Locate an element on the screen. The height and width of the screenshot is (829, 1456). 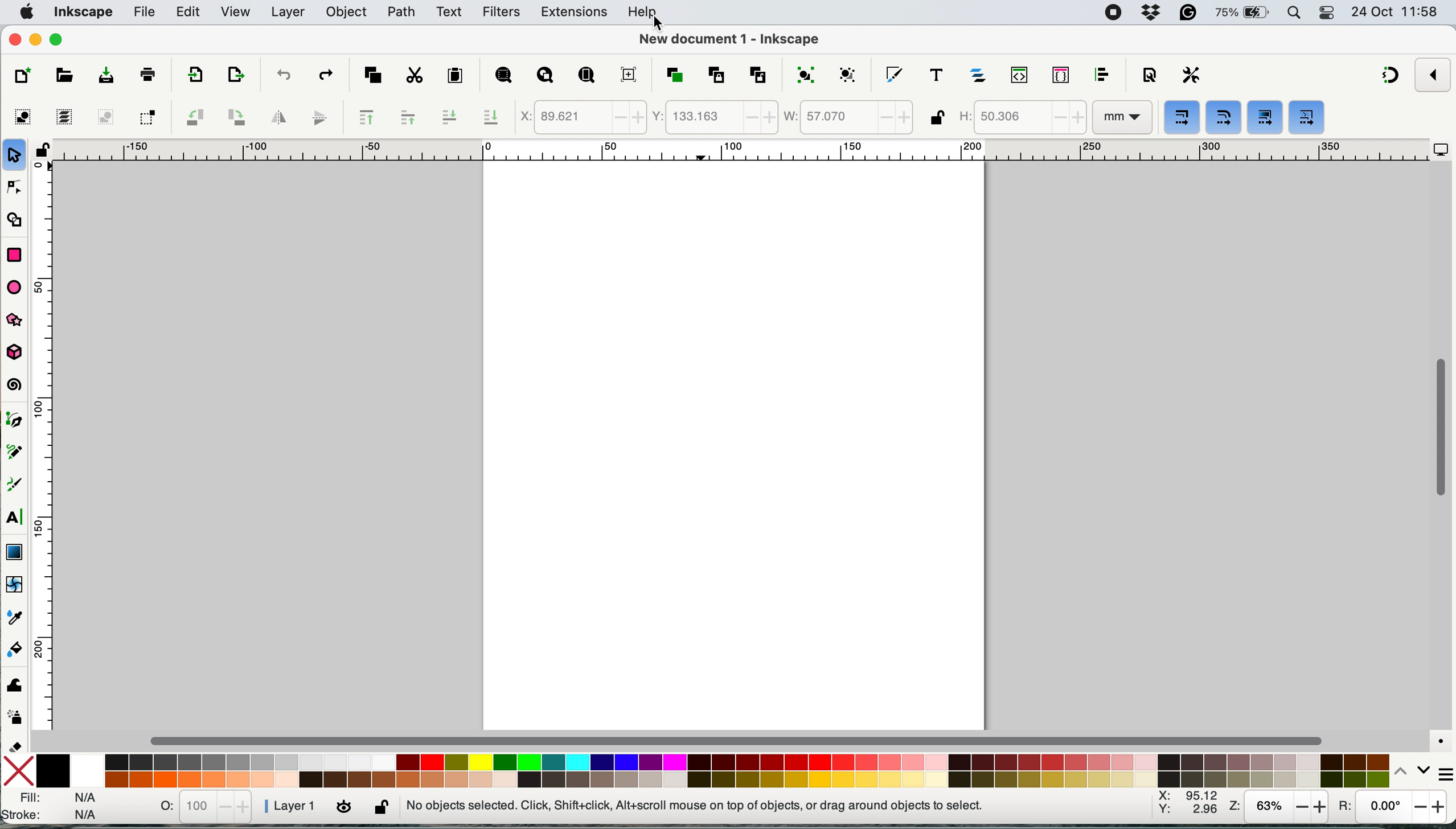
zoom drawing  is located at coordinates (540, 73).